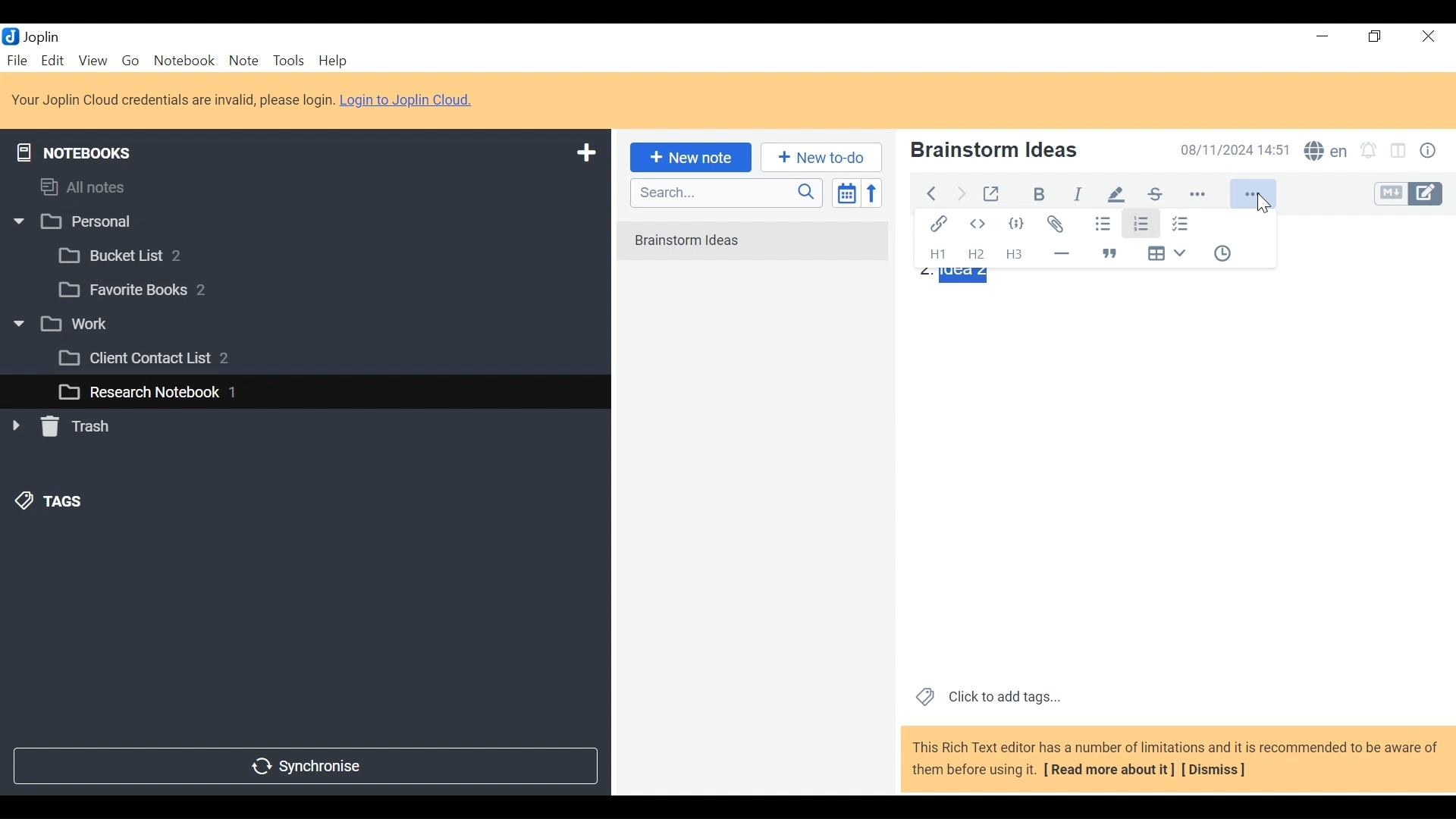  Describe the element at coordinates (66, 503) in the screenshot. I see `&) TAGS` at that location.